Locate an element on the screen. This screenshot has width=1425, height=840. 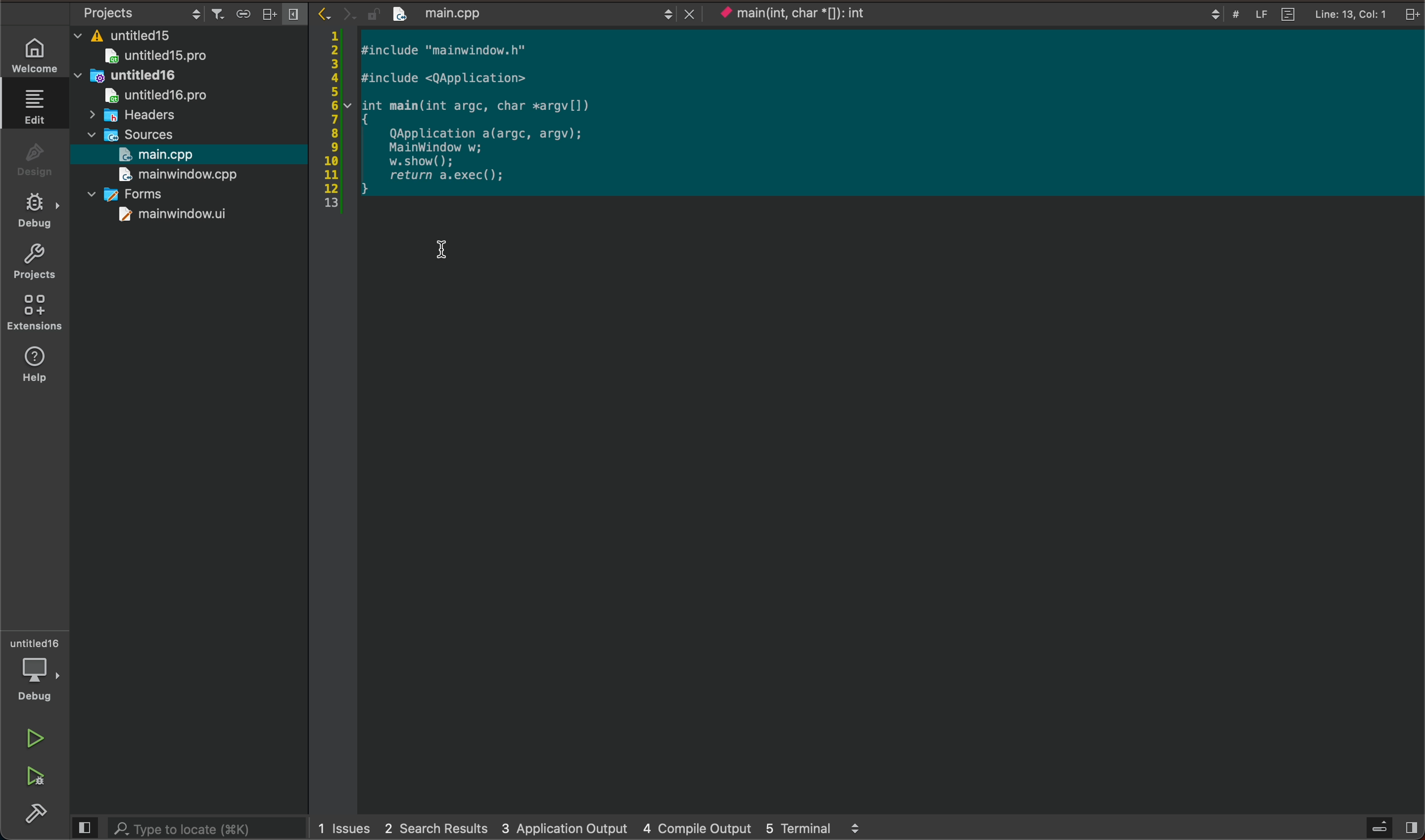
 is located at coordinates (1397, 13).